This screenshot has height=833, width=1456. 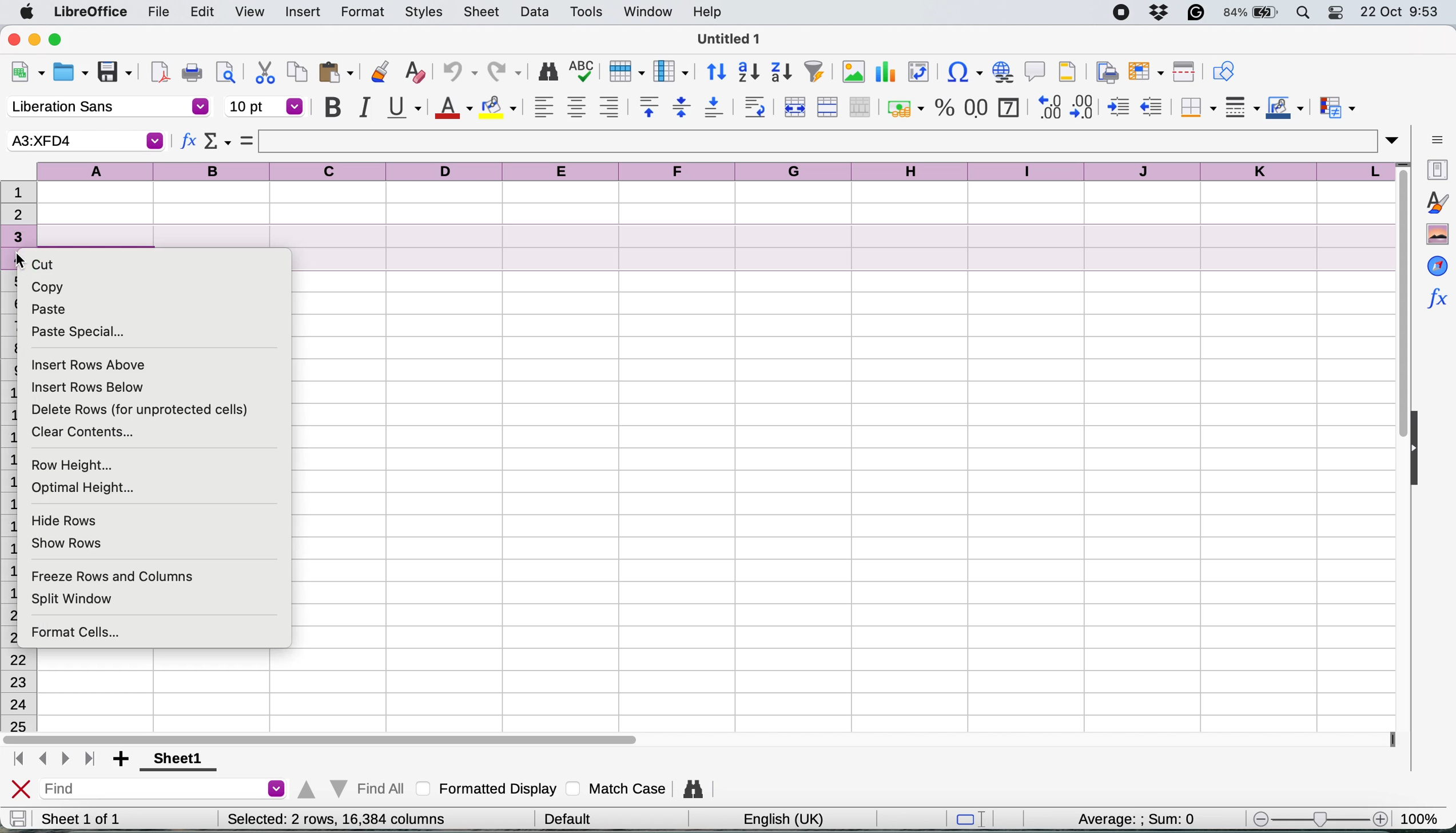 What do you see at coordinates (70, 74) in the screenshot?
I see `open` at bounding box center [70, 74].